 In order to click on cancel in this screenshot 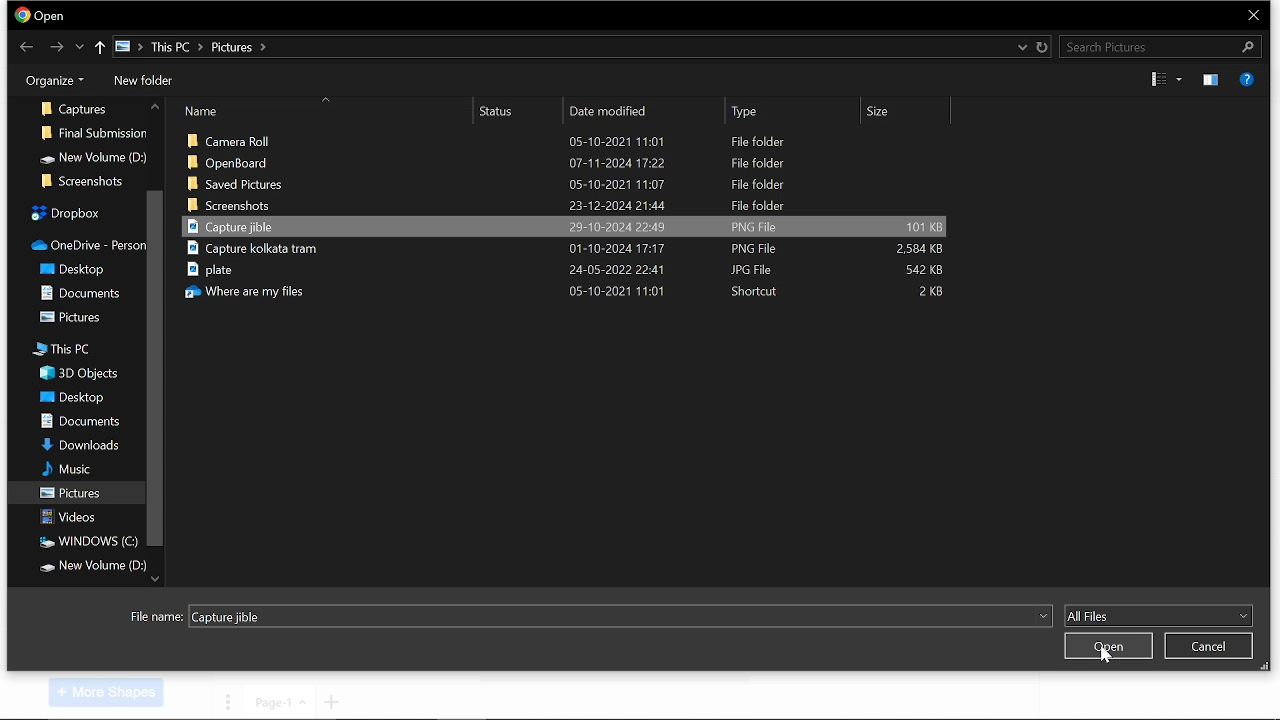, I will do `click(1209, 647)`.